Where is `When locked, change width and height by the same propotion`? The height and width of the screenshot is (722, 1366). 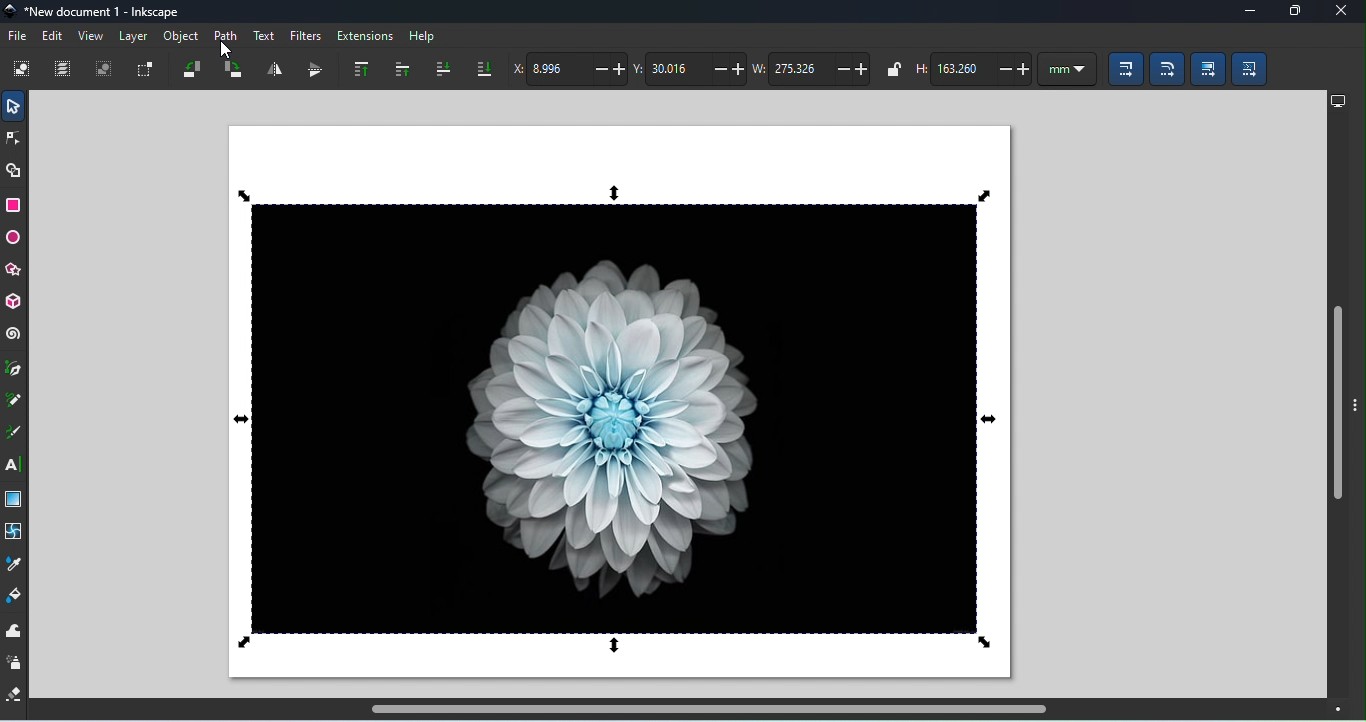
When locked, change width and height by the same propotion is located at coordinates (891, 69).